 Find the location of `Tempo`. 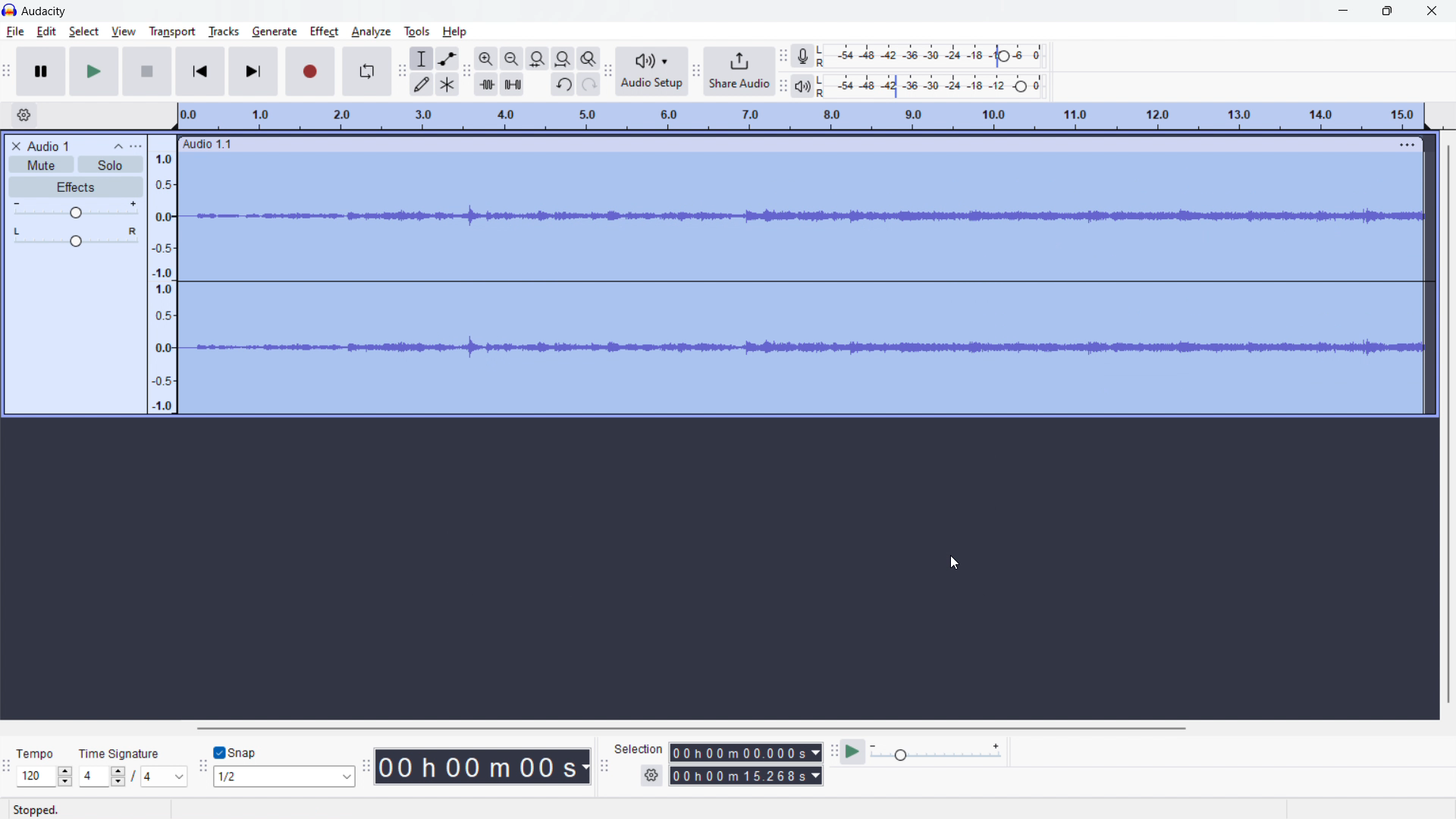

Tempo is located at coordinates (40, 749).